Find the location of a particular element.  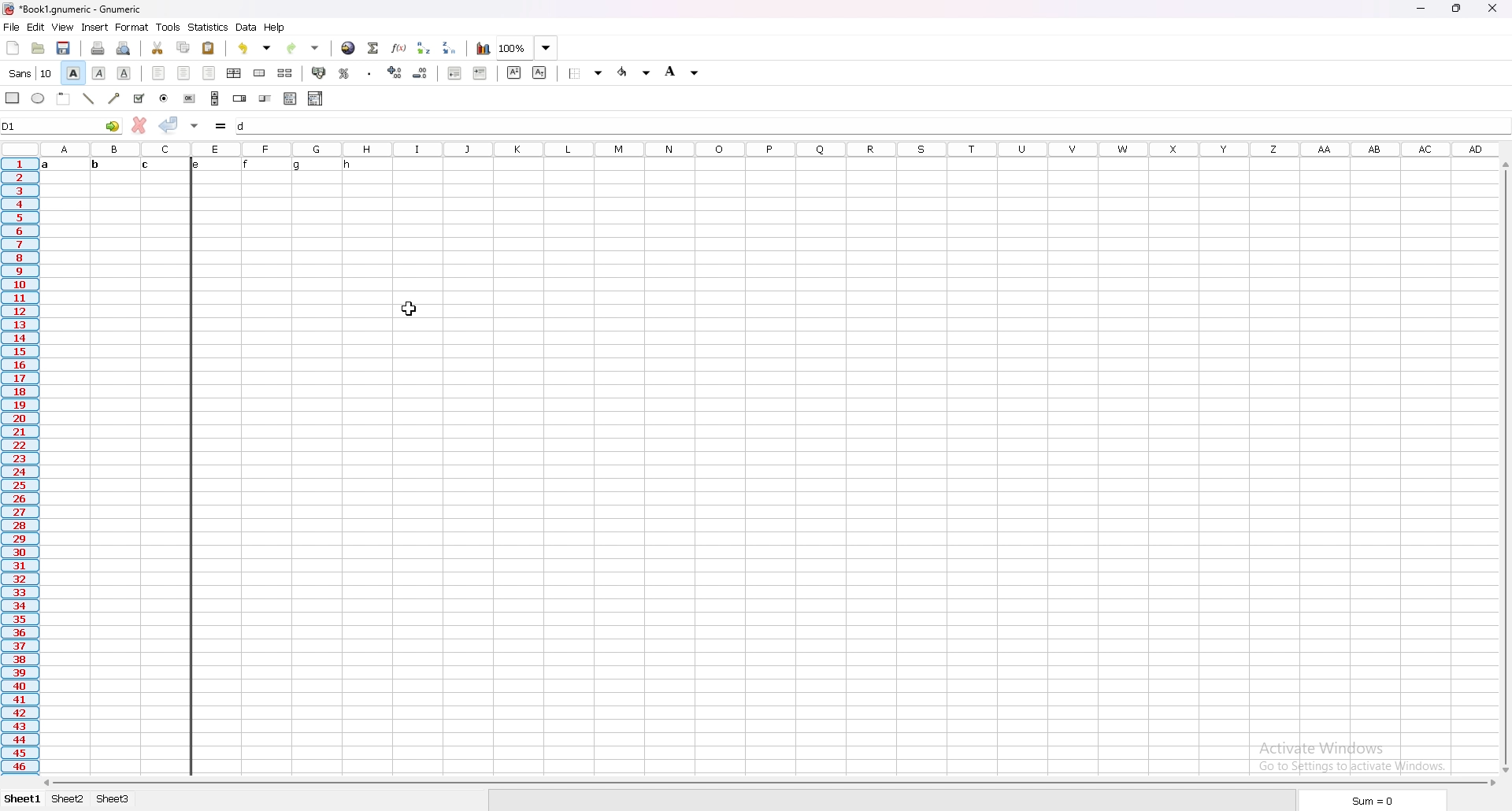

function is located at coordinates (398, 48).